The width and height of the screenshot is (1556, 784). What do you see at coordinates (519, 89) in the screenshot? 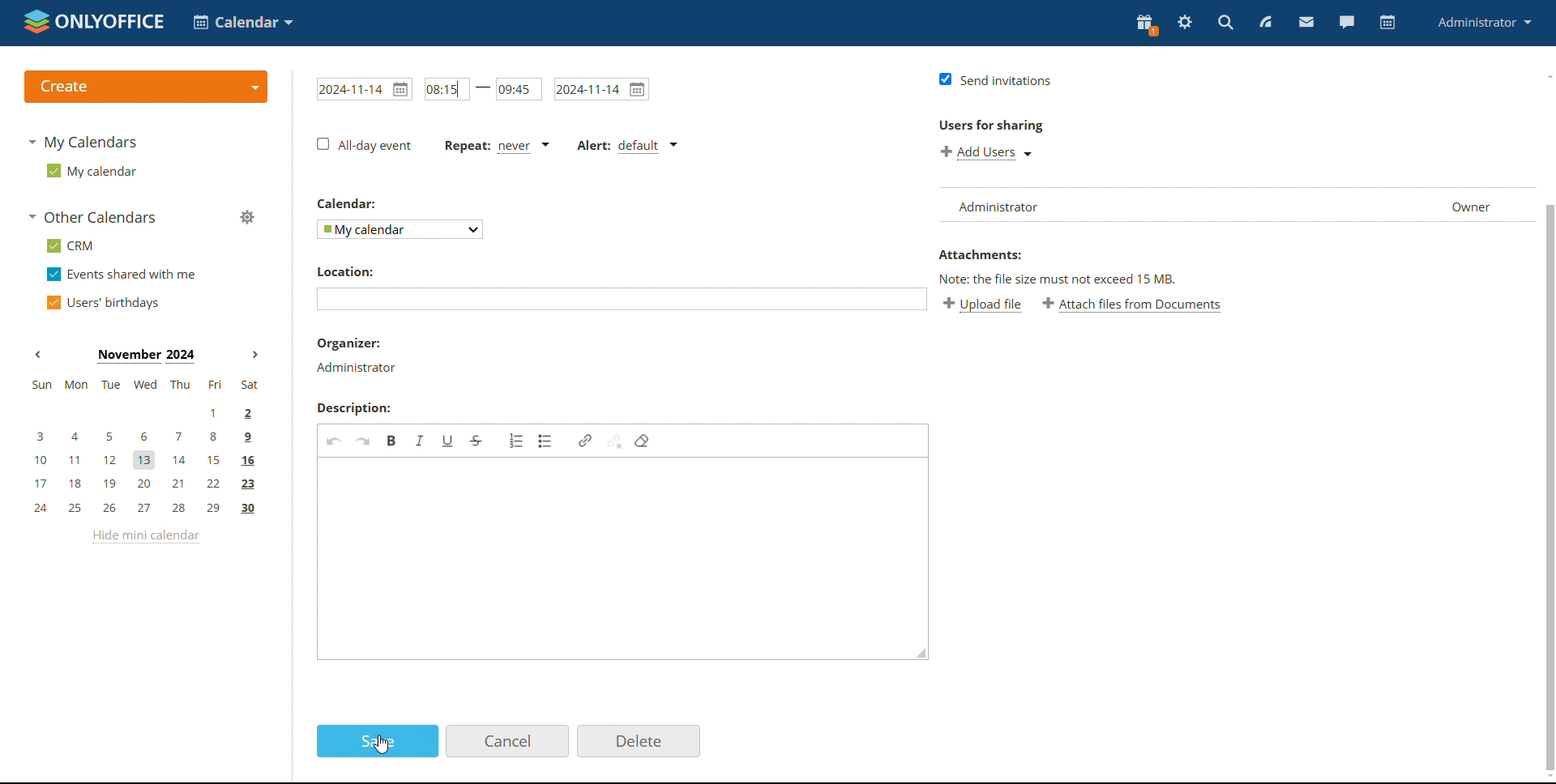
I see `end time` at bounding box center [519, 89].